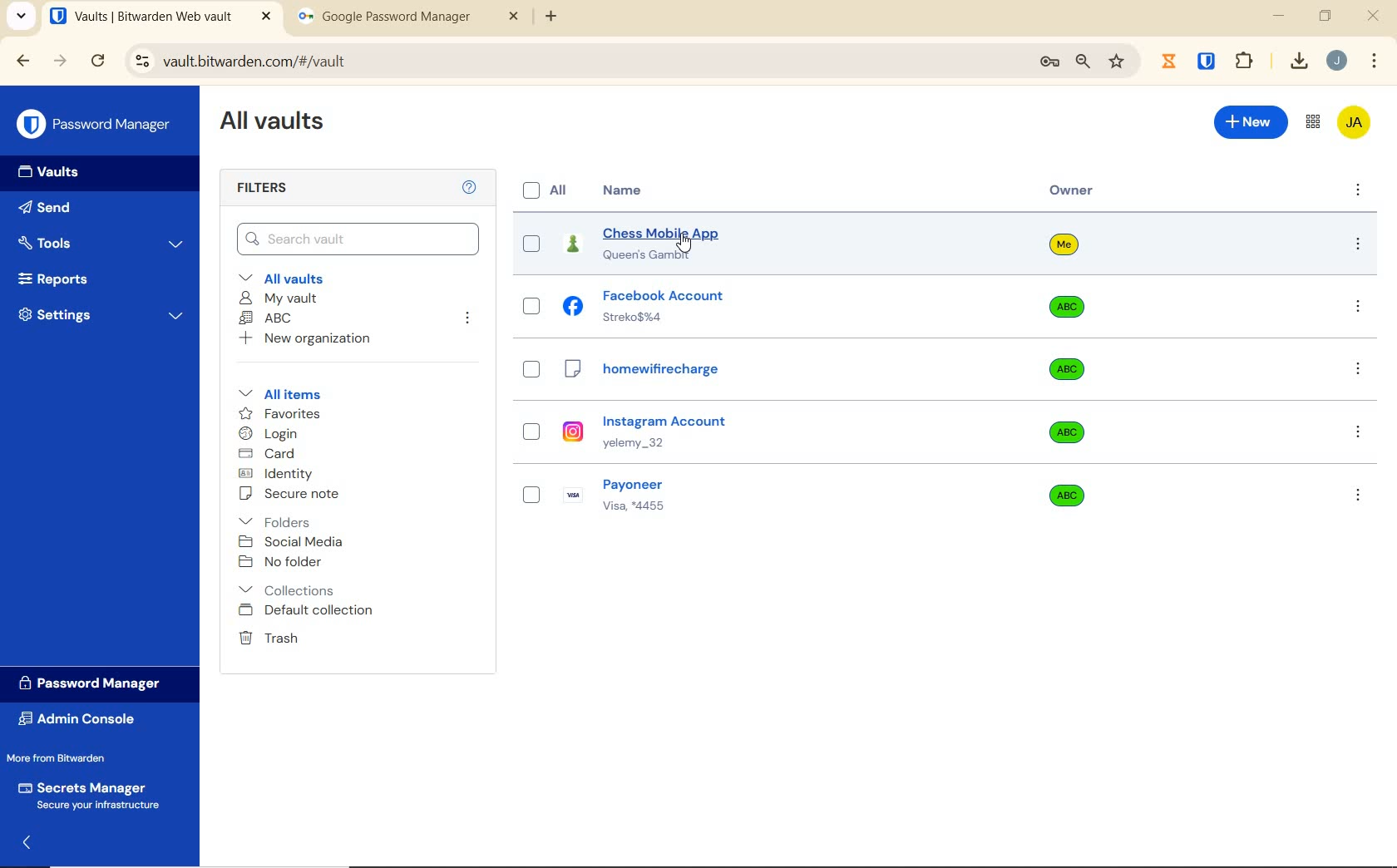  What do you see at coordinates (553, 17) in the screenshot?
I see `new tab` at bounding box center [553, 17].